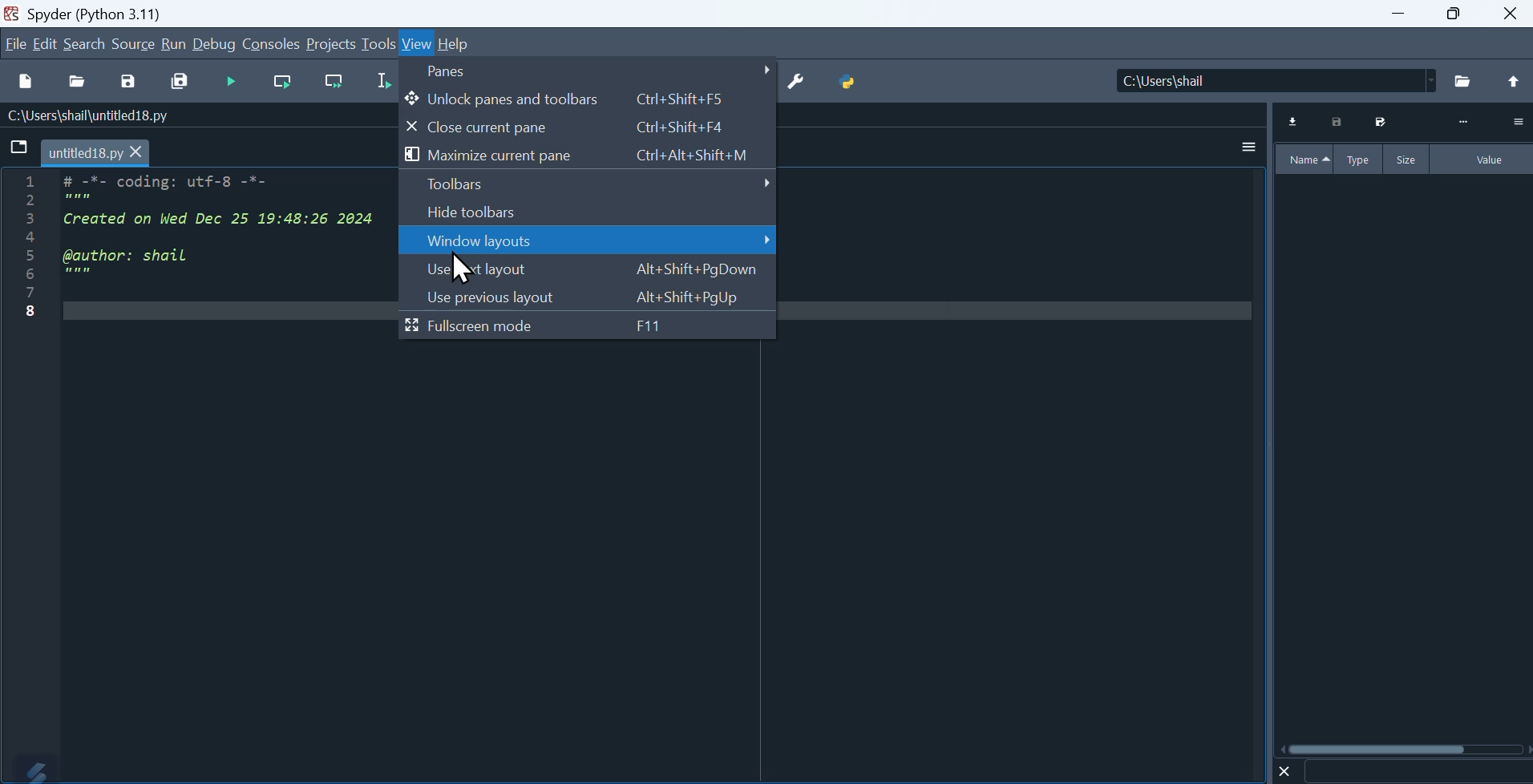 The height and width of the screenshot is (784, 1533). Describe the element at coordinates (455, 44) in the screenshot. I see `Help` at that location.